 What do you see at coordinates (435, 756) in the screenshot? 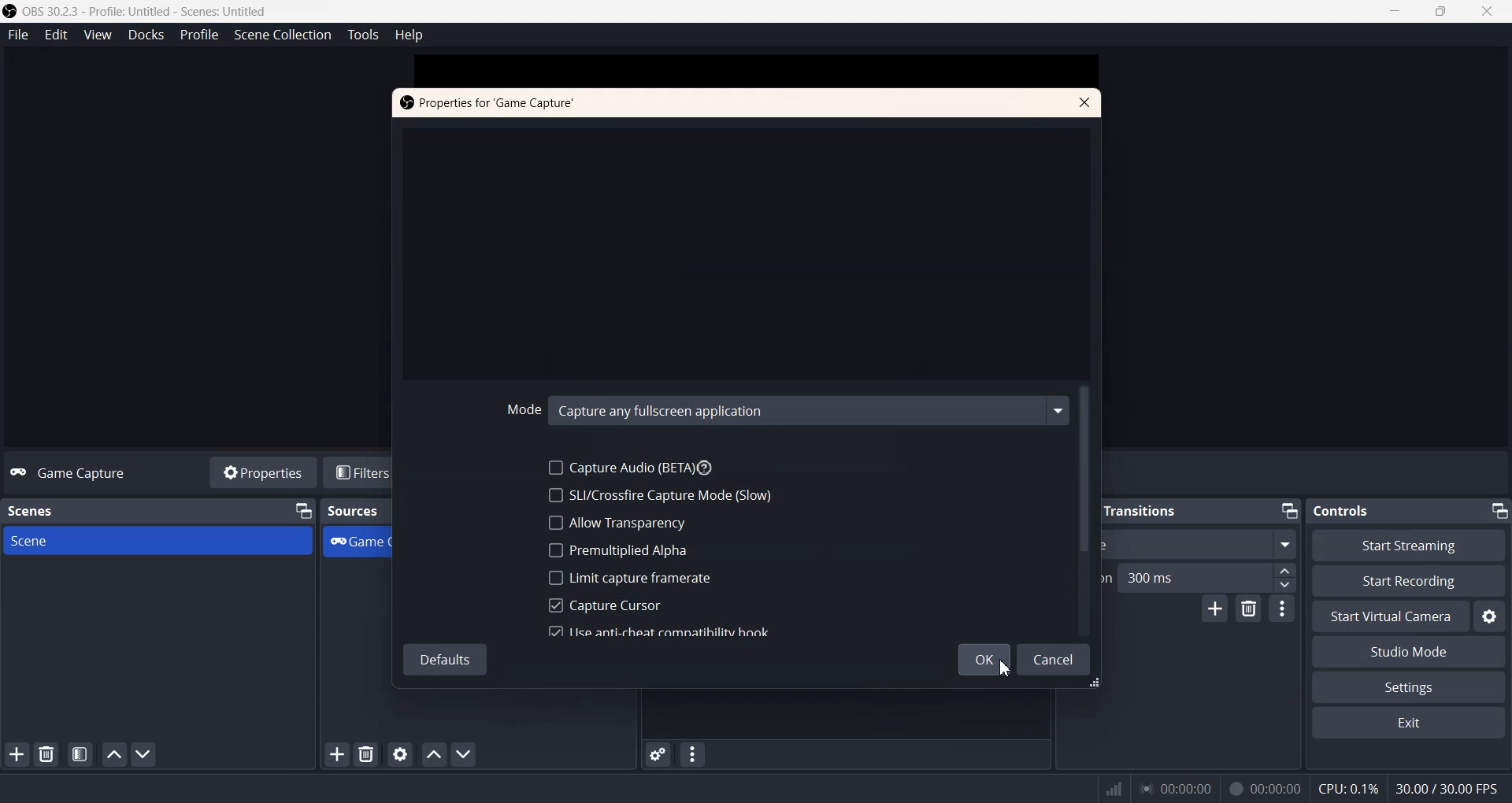
I see `Move Source Up` at bounding box center [435, 756].